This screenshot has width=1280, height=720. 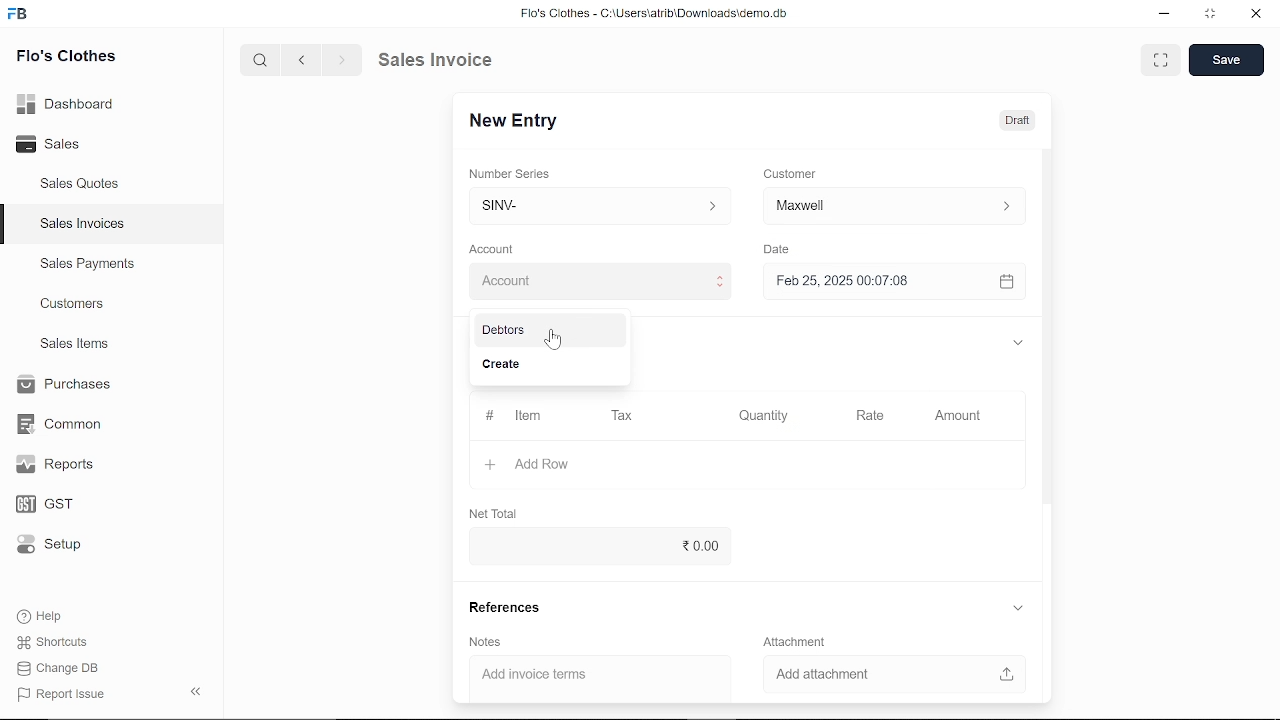 I want to click on Net Total, so click(x=490, y=513).